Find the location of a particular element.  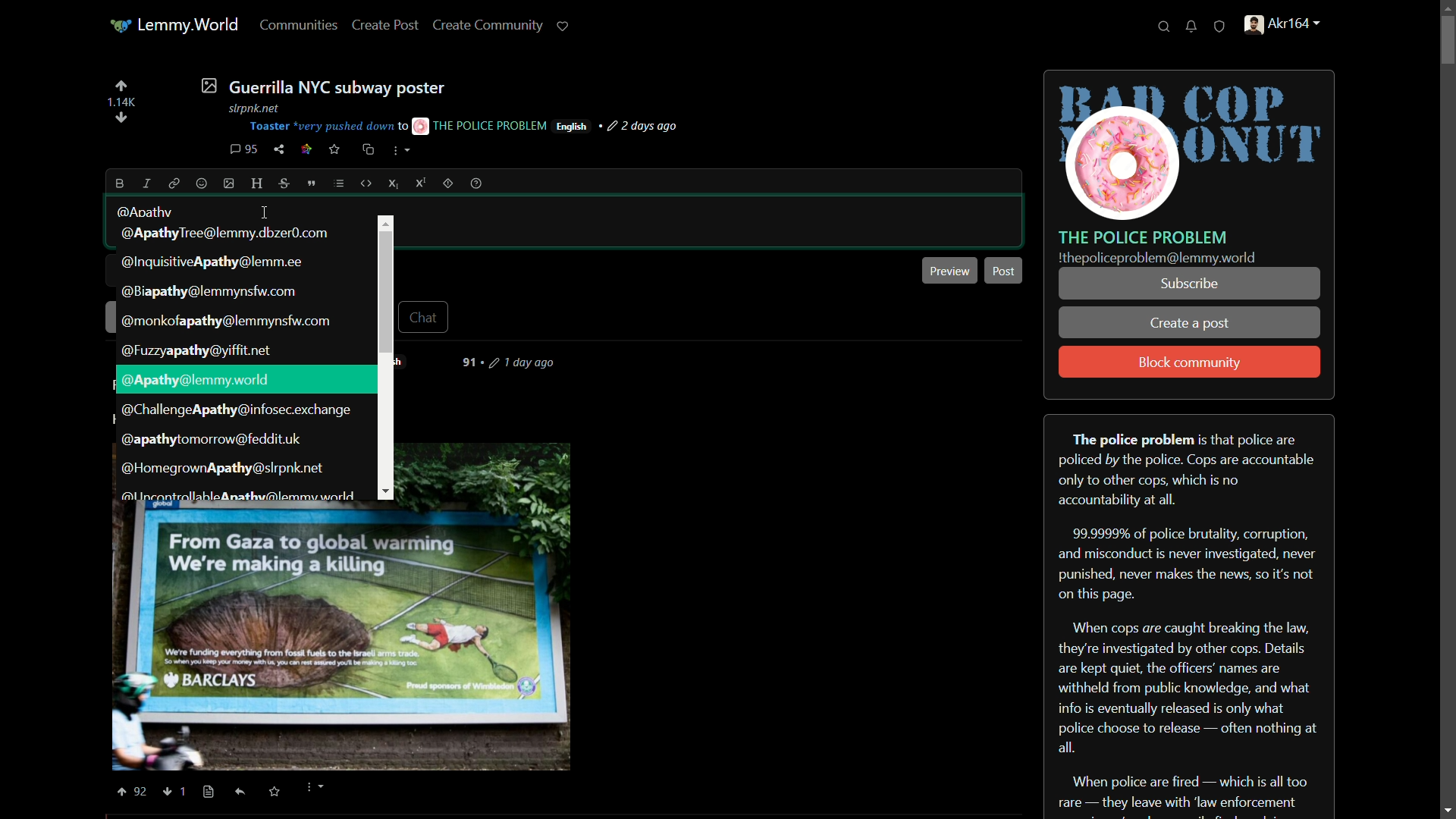

subscript is located at coordinates (395, 184).